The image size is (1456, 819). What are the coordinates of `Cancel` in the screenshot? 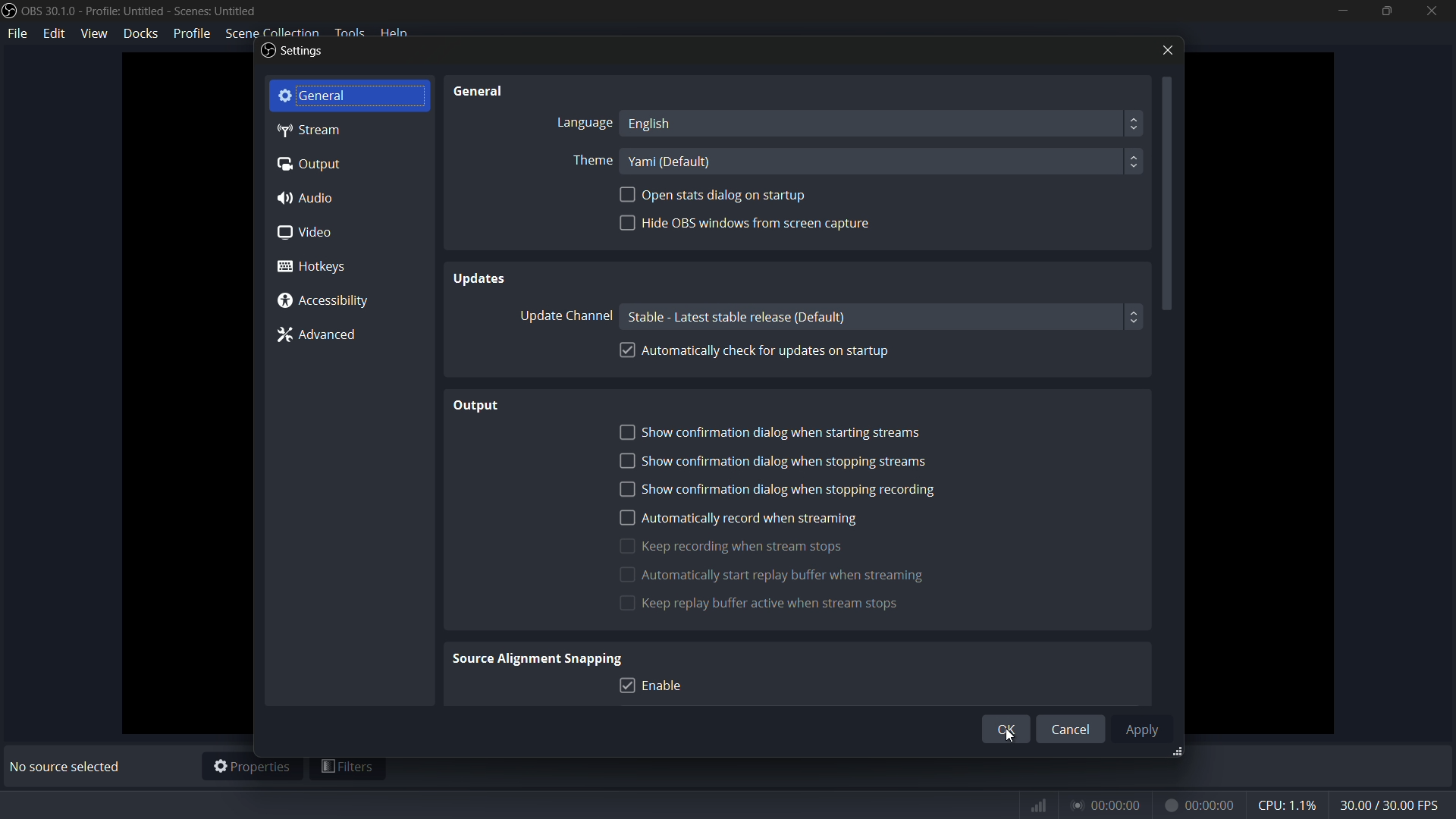 It's located at (1072, 728).